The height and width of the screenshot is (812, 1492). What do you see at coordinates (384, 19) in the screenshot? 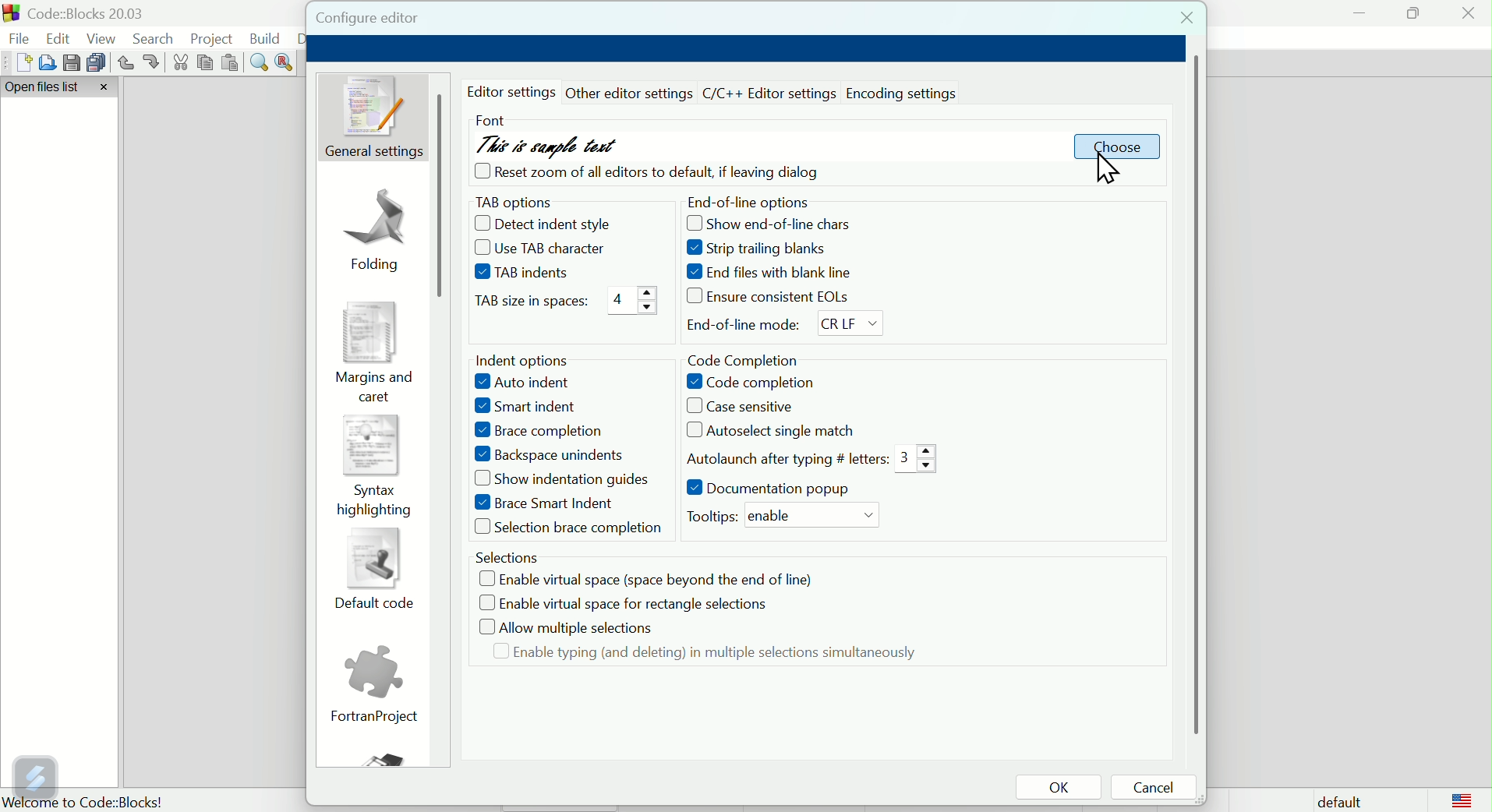
I see `Configure editor` at bounding box center [384, 19].